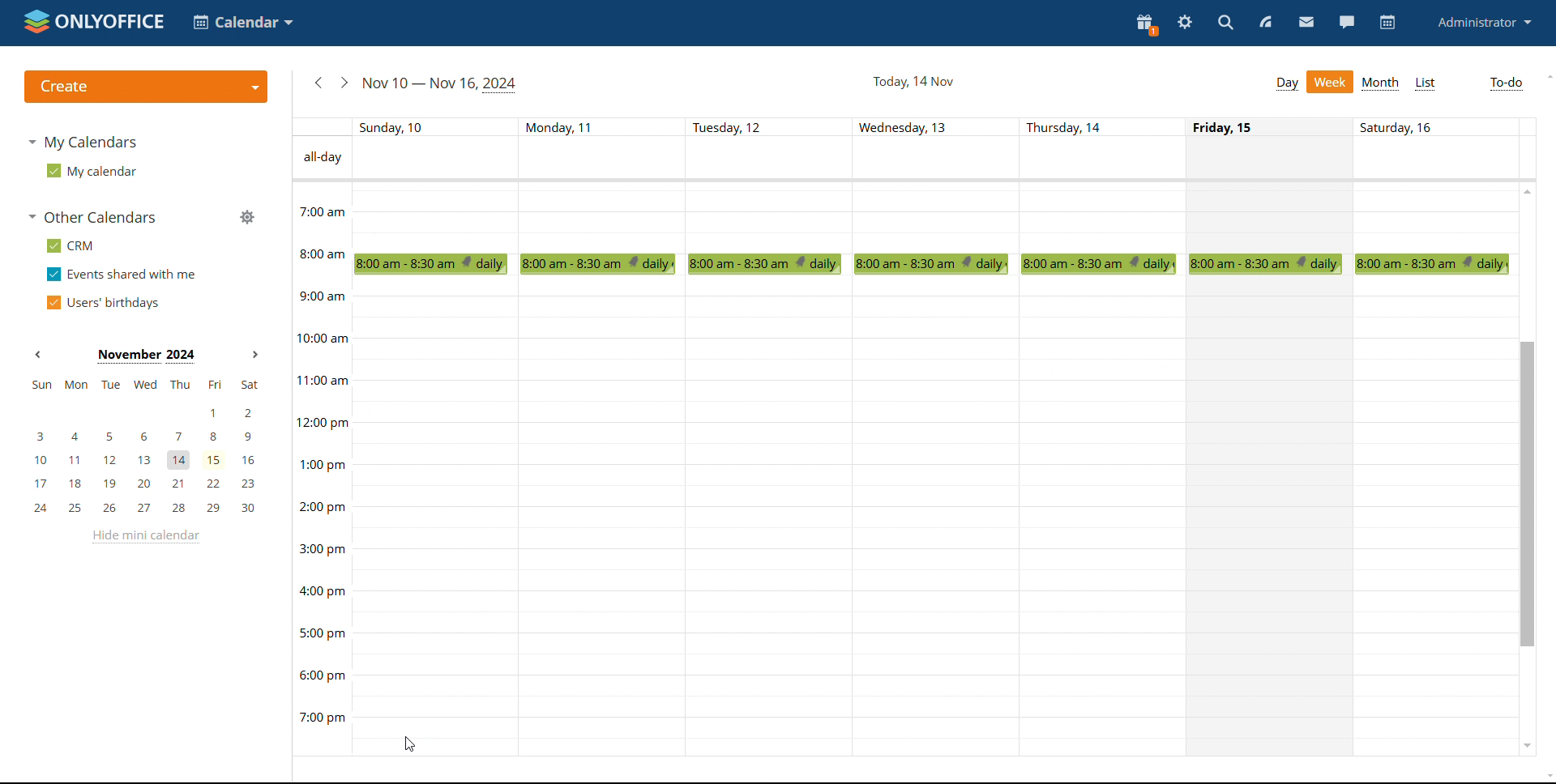  What do you see at coordinates (941, 266) in the screenshot?
I see `daily morning check in event` at bounding box center [941, 266].